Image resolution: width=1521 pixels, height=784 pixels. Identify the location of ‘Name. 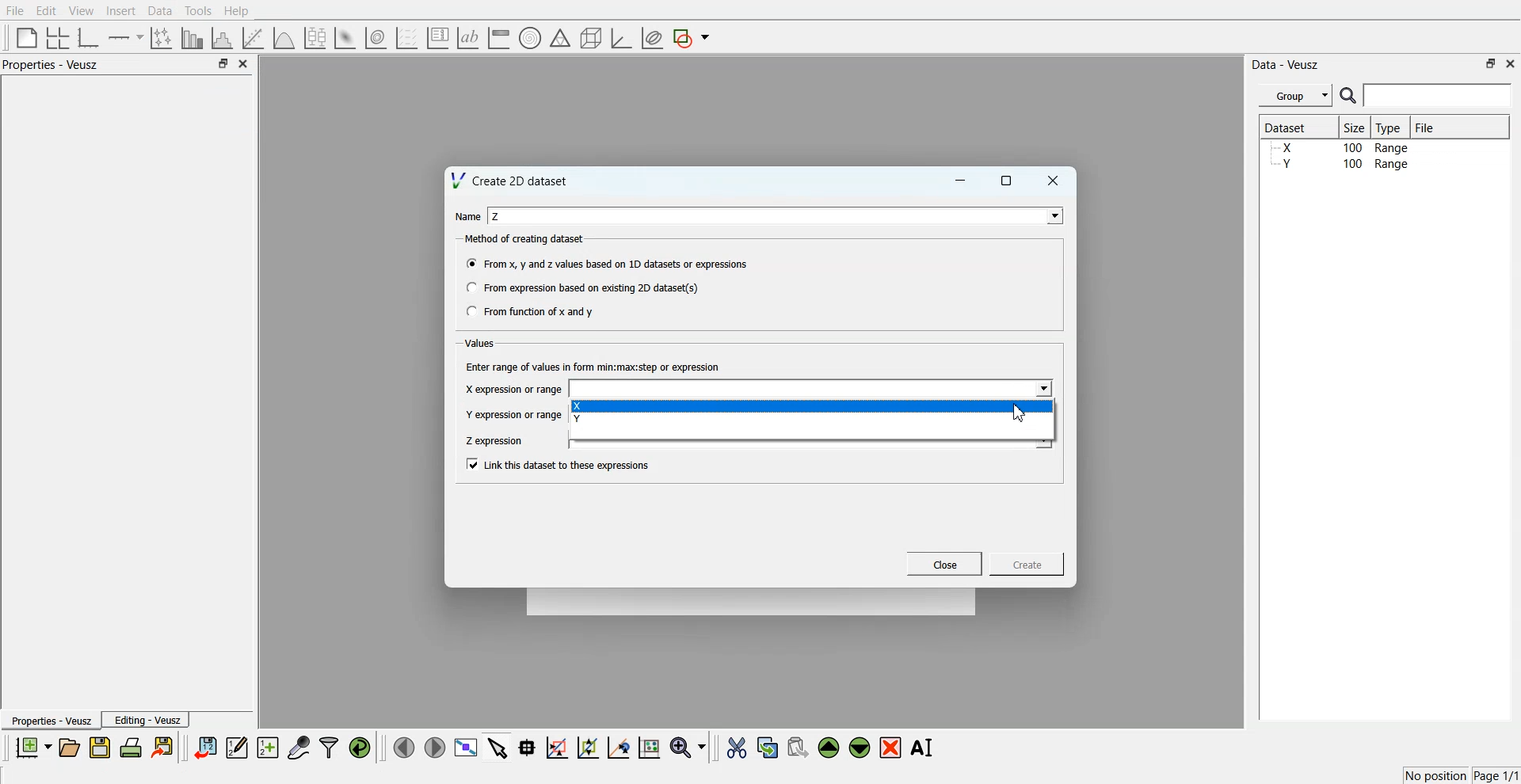
(467, 217).